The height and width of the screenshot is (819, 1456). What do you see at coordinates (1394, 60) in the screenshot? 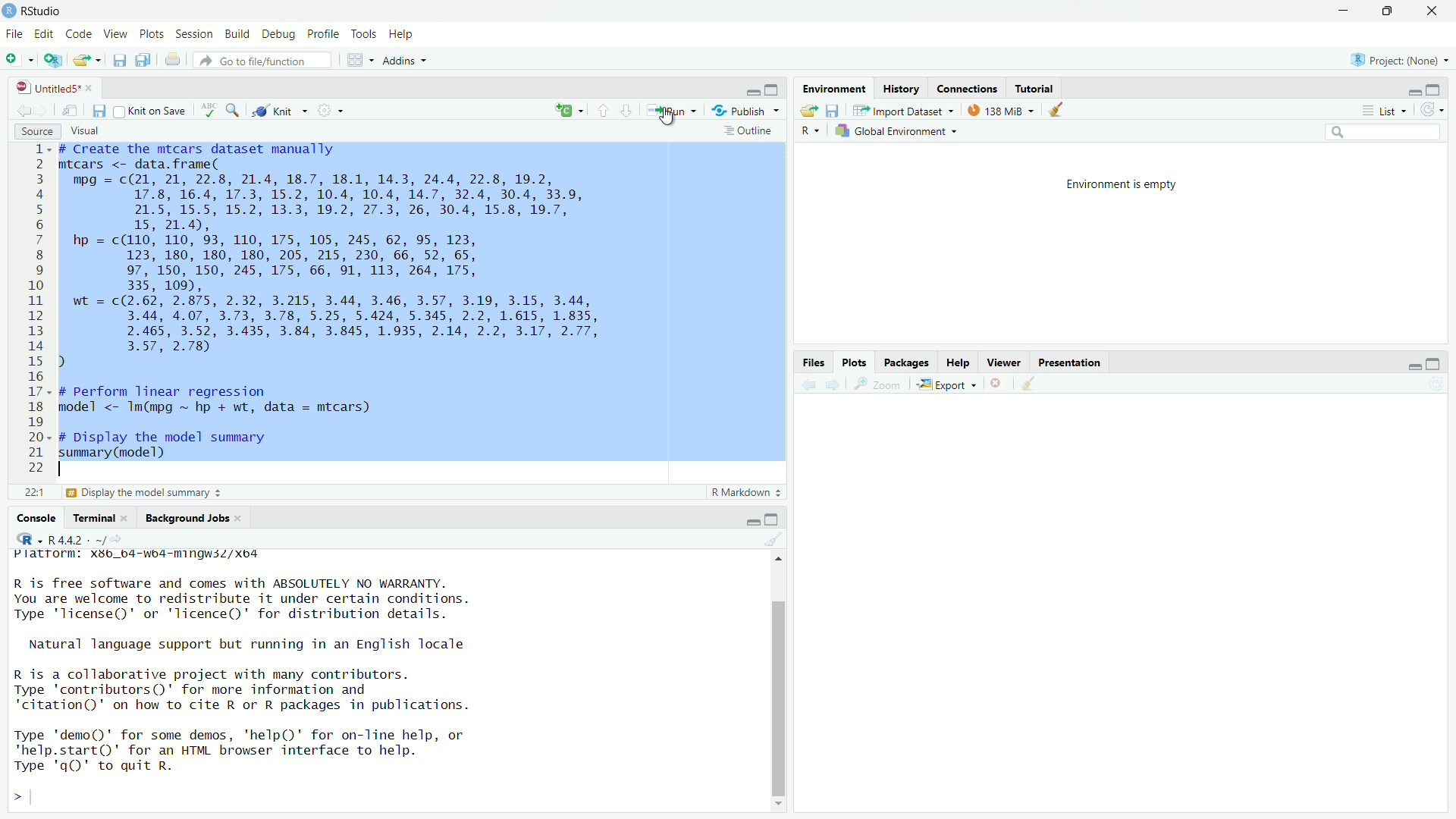
I see `Project (None)` at bounding box center [1394, 60].